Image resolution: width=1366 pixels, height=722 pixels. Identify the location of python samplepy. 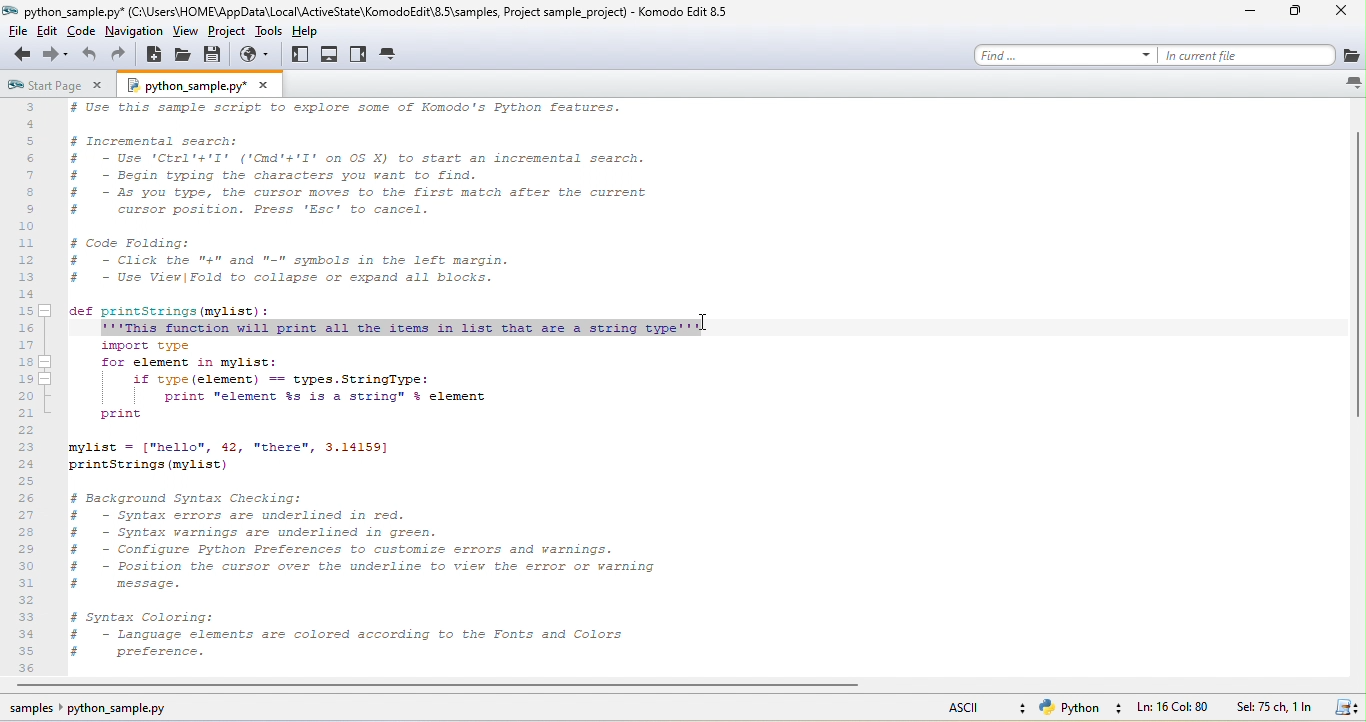
(182, 87).